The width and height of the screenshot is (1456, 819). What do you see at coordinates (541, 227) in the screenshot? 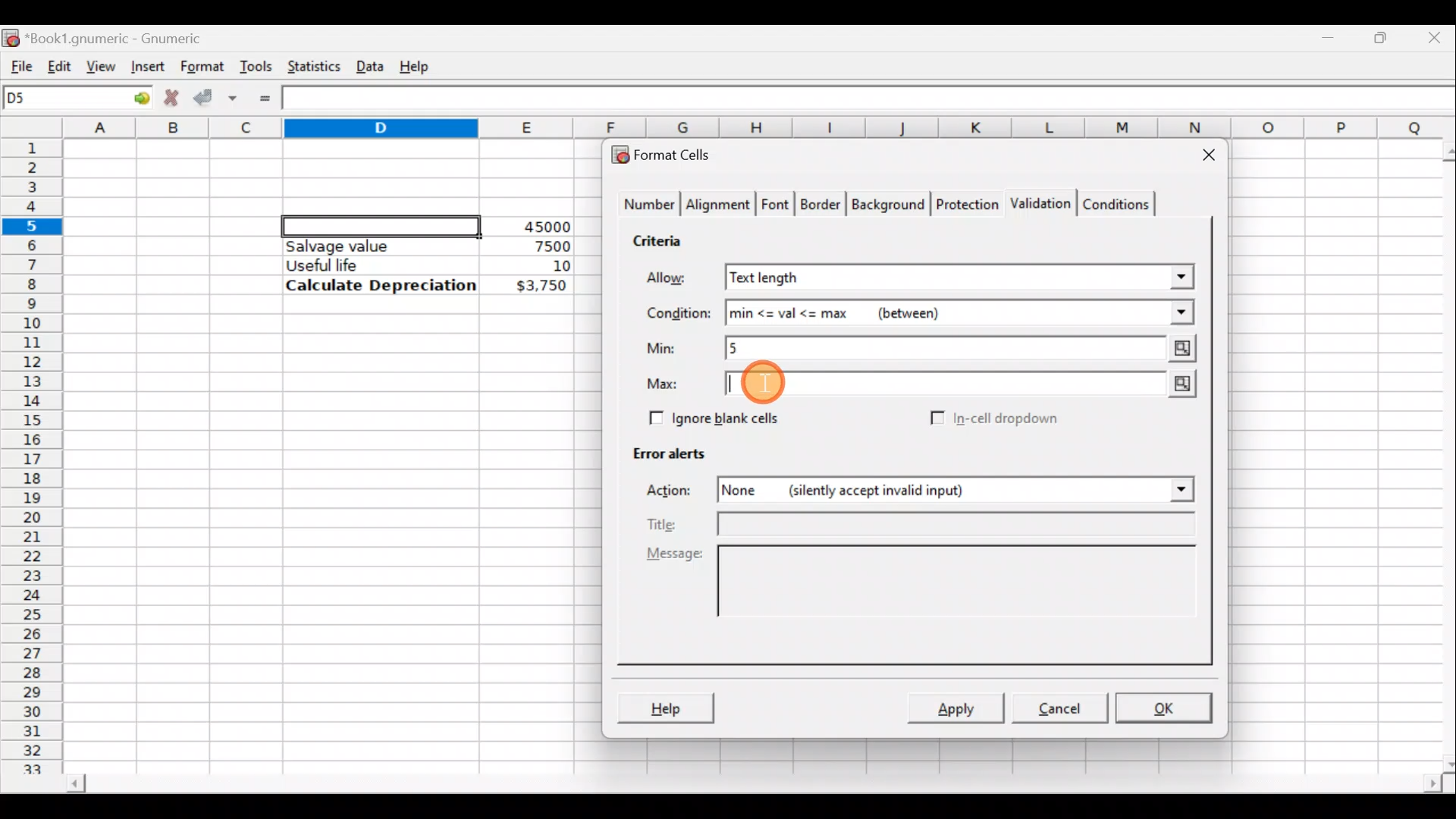
I see `45000` at bounding box center [541, 227].